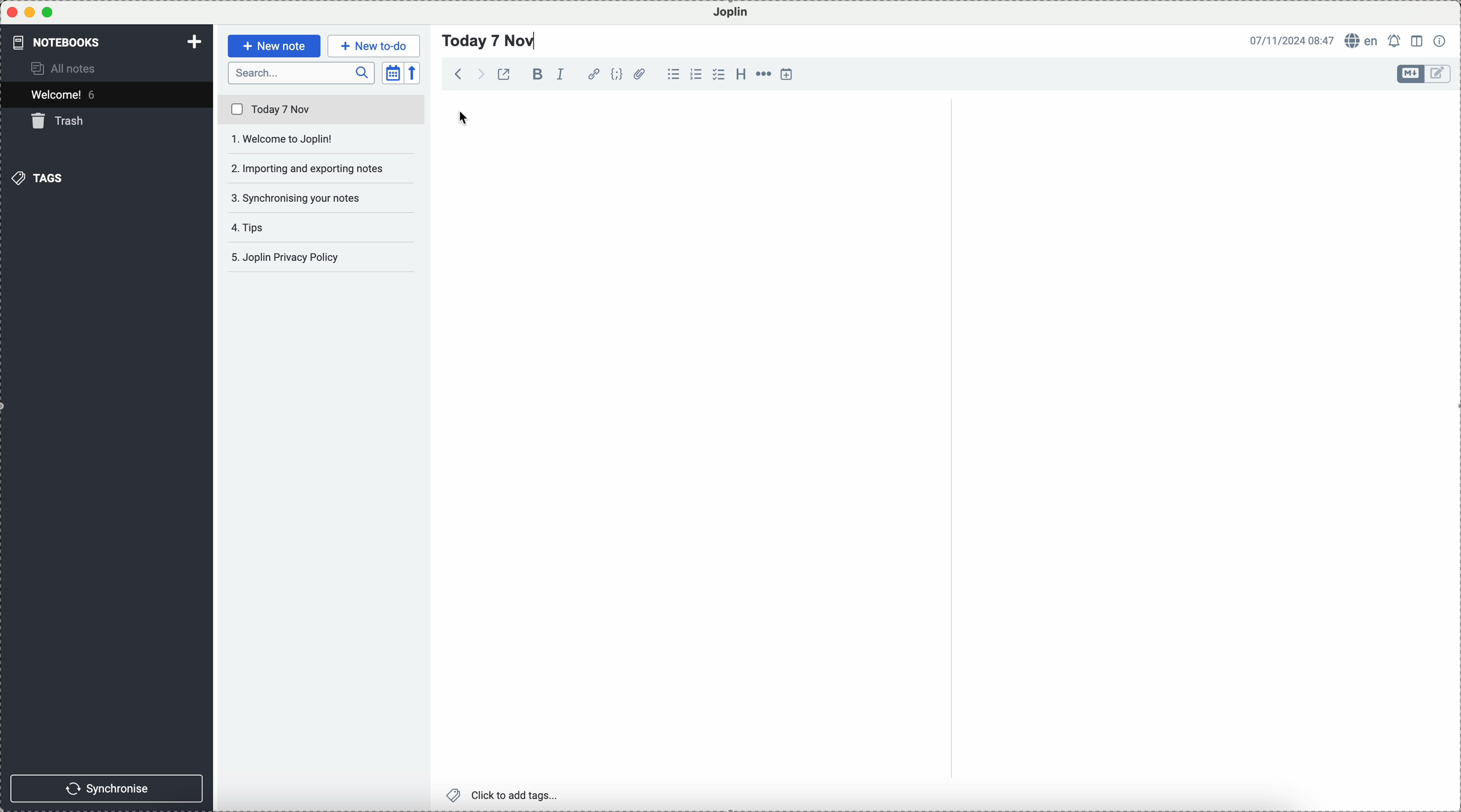 Image resolution: width=1461 pixels, height=812 pixels. I want to click on heading, so click(741, 73).